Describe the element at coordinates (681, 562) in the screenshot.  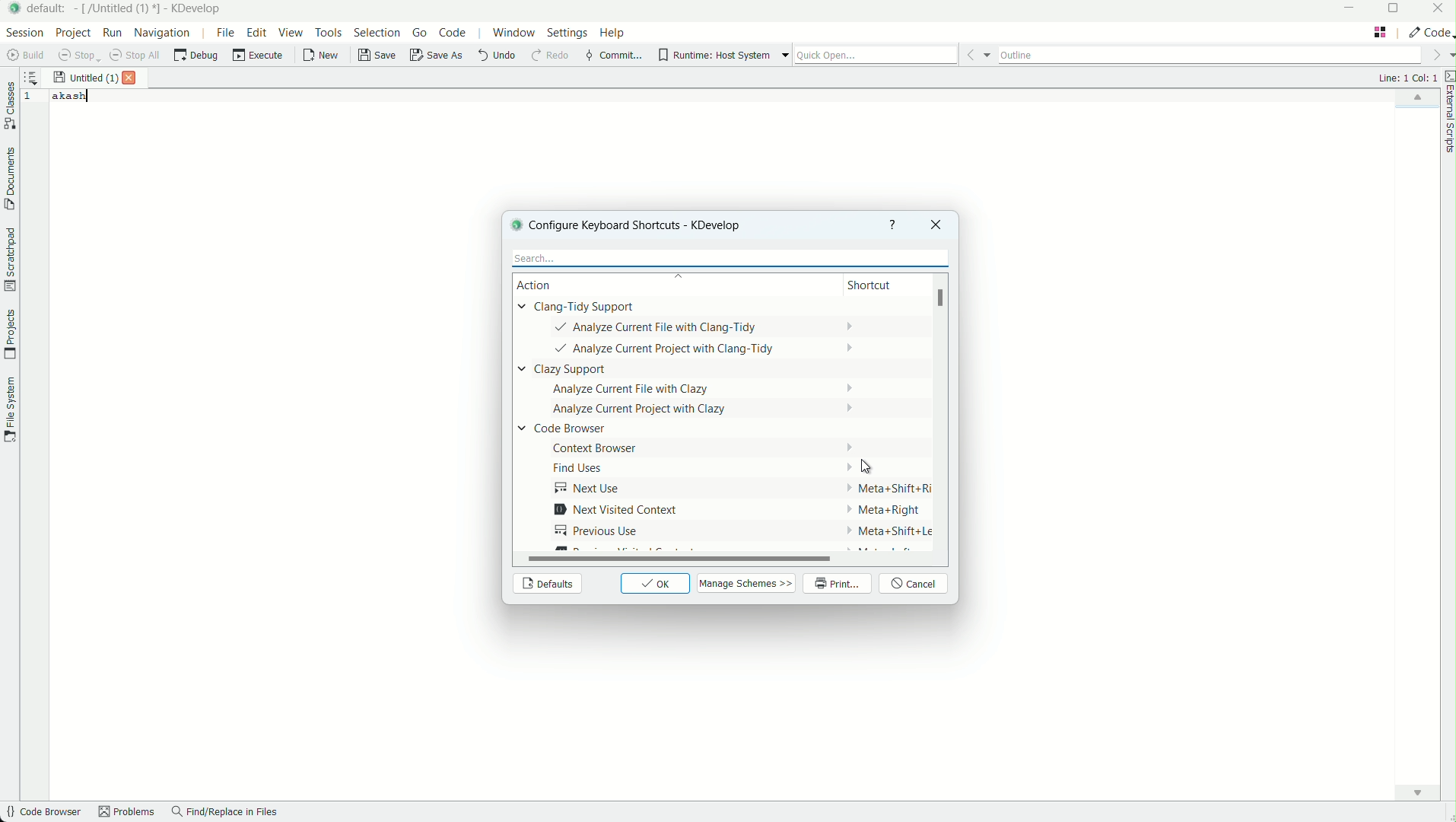
I see `scroll bar` at that location.